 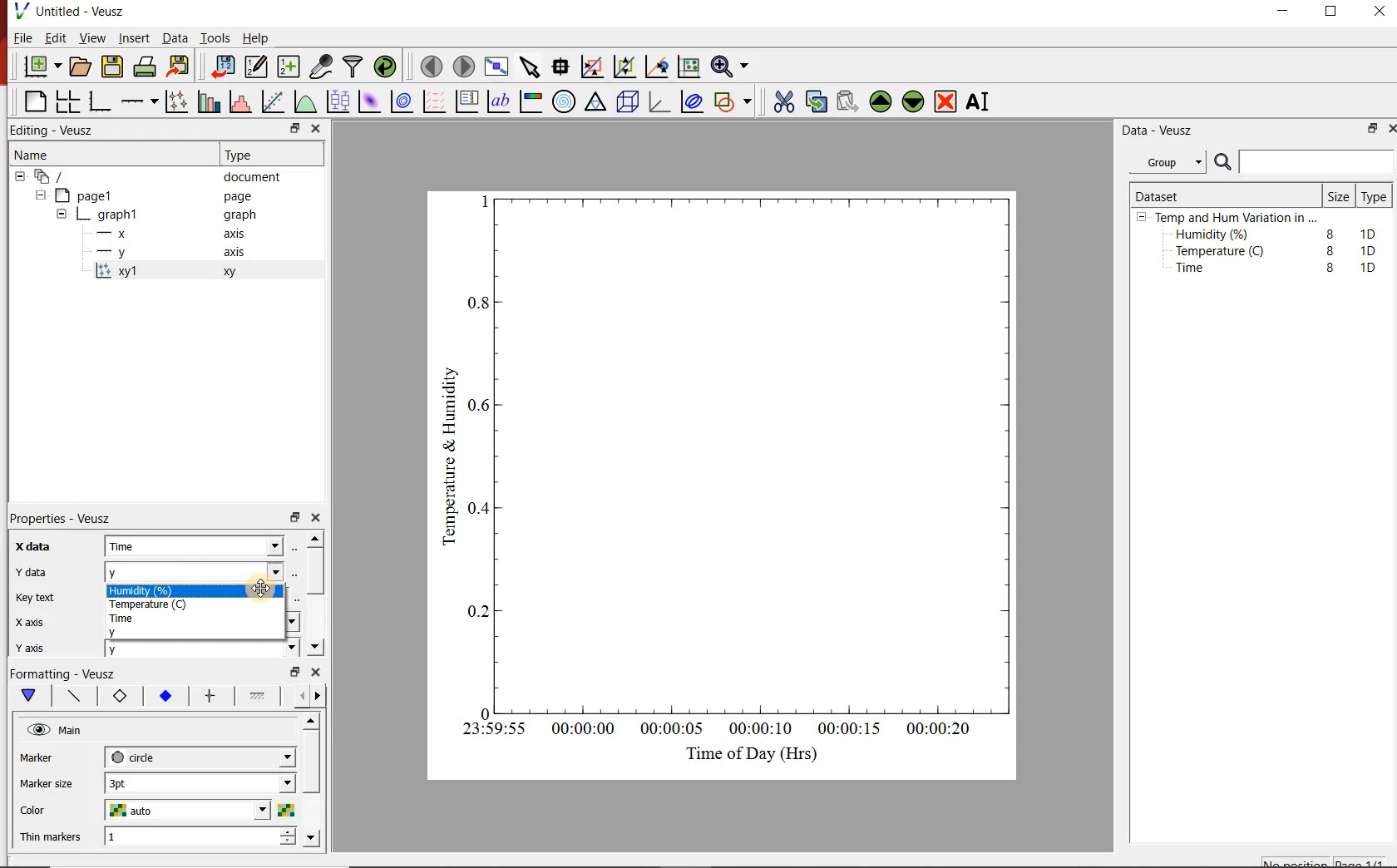 What do you see at coordinates (287, 846) in the screenshot?
I see `decrease` at bounding box center [287, 846].